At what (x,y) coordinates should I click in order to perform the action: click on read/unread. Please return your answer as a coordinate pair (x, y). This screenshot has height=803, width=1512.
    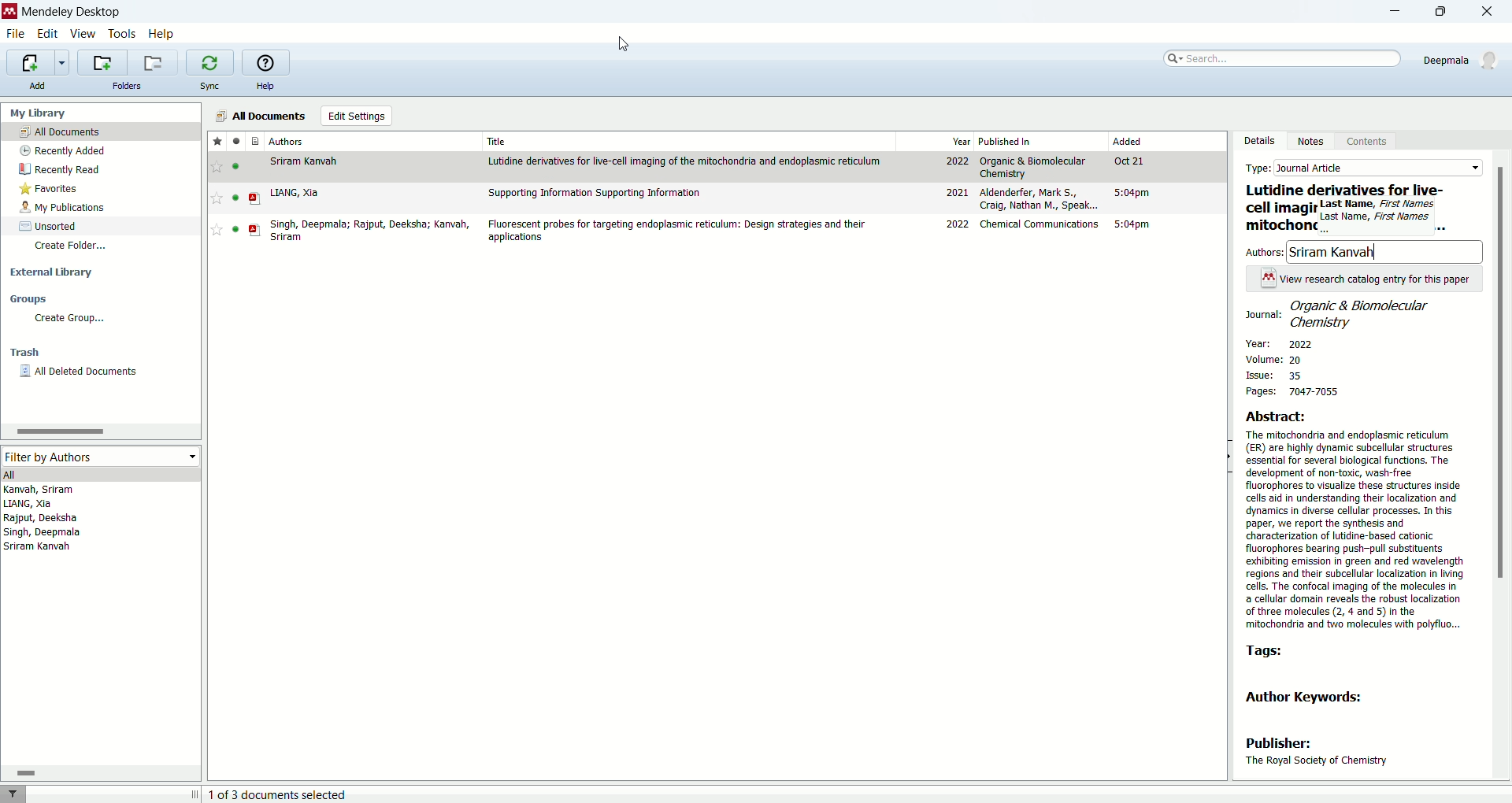
    Looking at the image, I should click on (236, 142).